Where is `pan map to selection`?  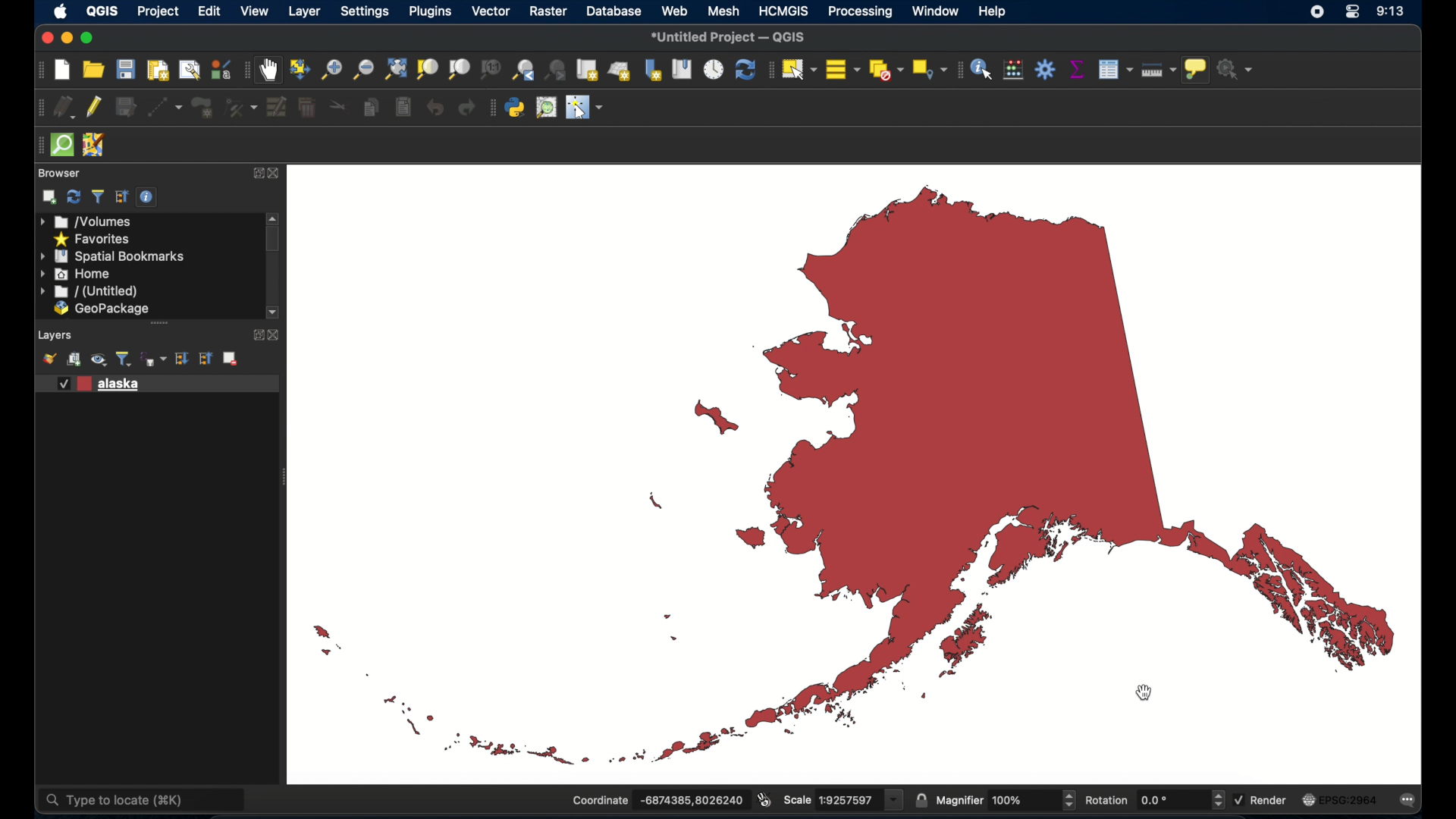
pan map to selection is located at coordinates (300, 70).